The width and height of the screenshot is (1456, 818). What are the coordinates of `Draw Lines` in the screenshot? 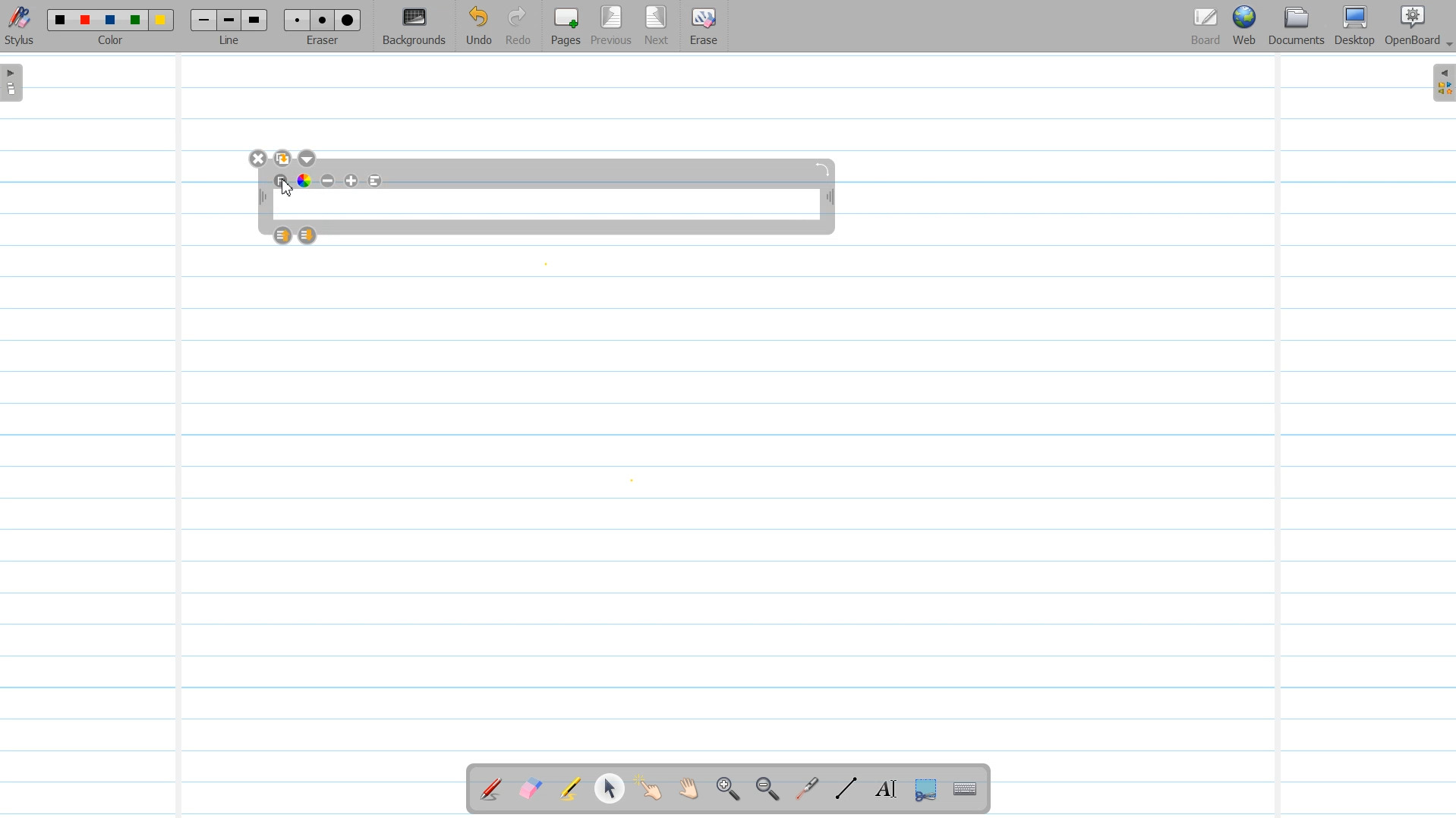 It's located at (846, 789).